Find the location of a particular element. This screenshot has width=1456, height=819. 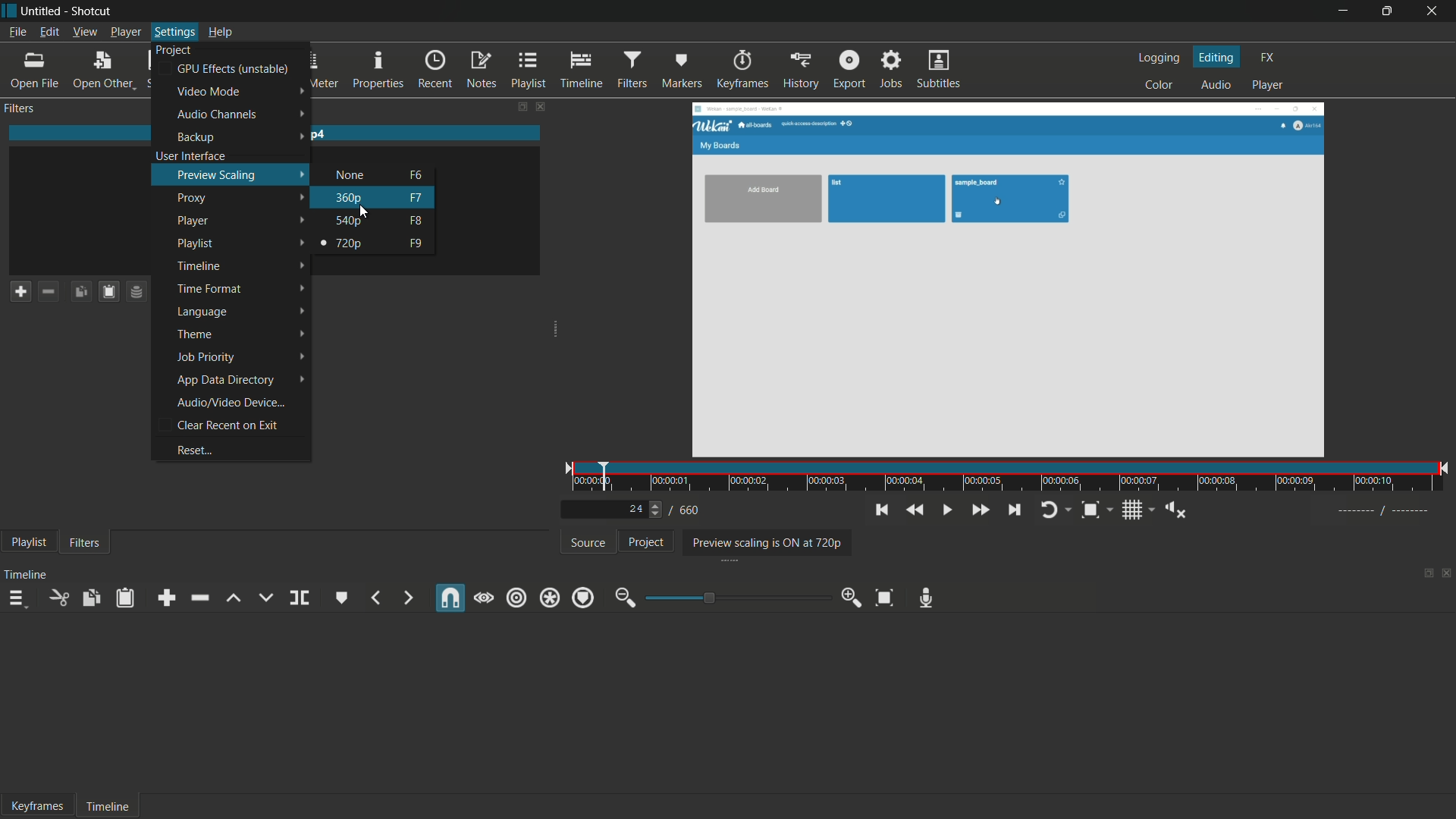

timeline menu is located at coordinates (19, 598).